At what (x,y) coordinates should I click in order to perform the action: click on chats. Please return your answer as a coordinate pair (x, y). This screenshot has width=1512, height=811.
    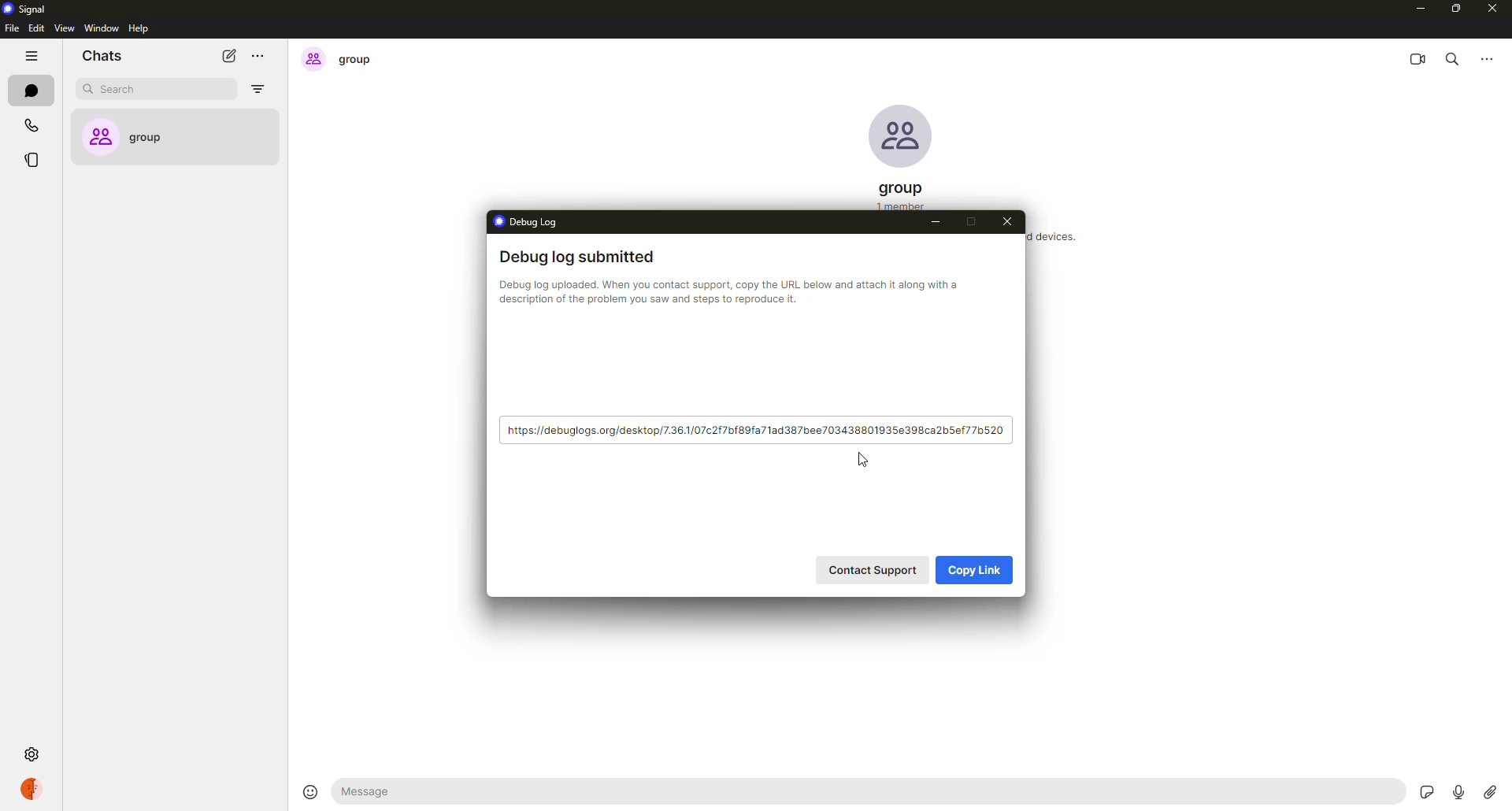
    Looking at the image, I should click on (29, 90).